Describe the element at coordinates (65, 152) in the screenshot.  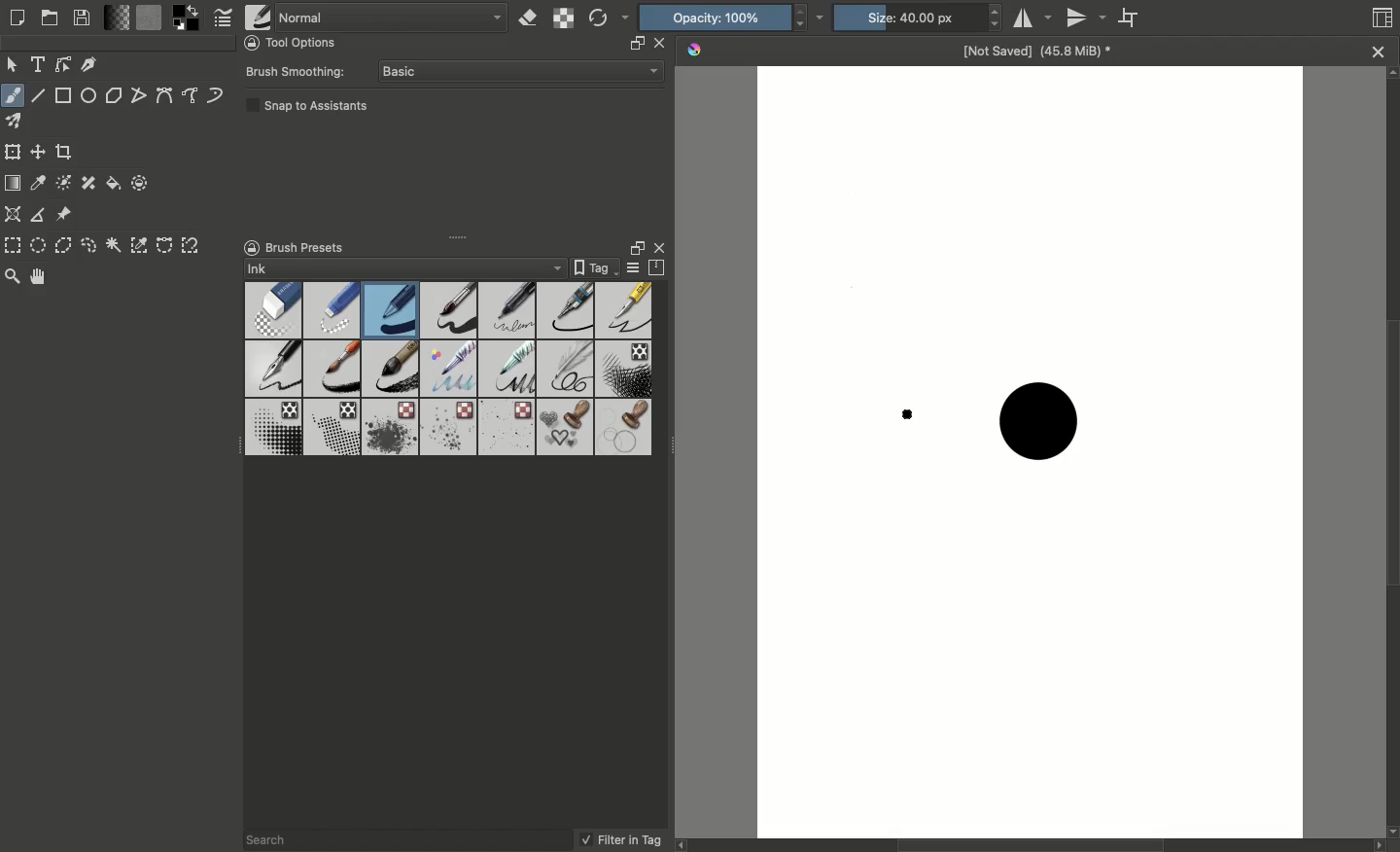
I see `Crop` at that location.